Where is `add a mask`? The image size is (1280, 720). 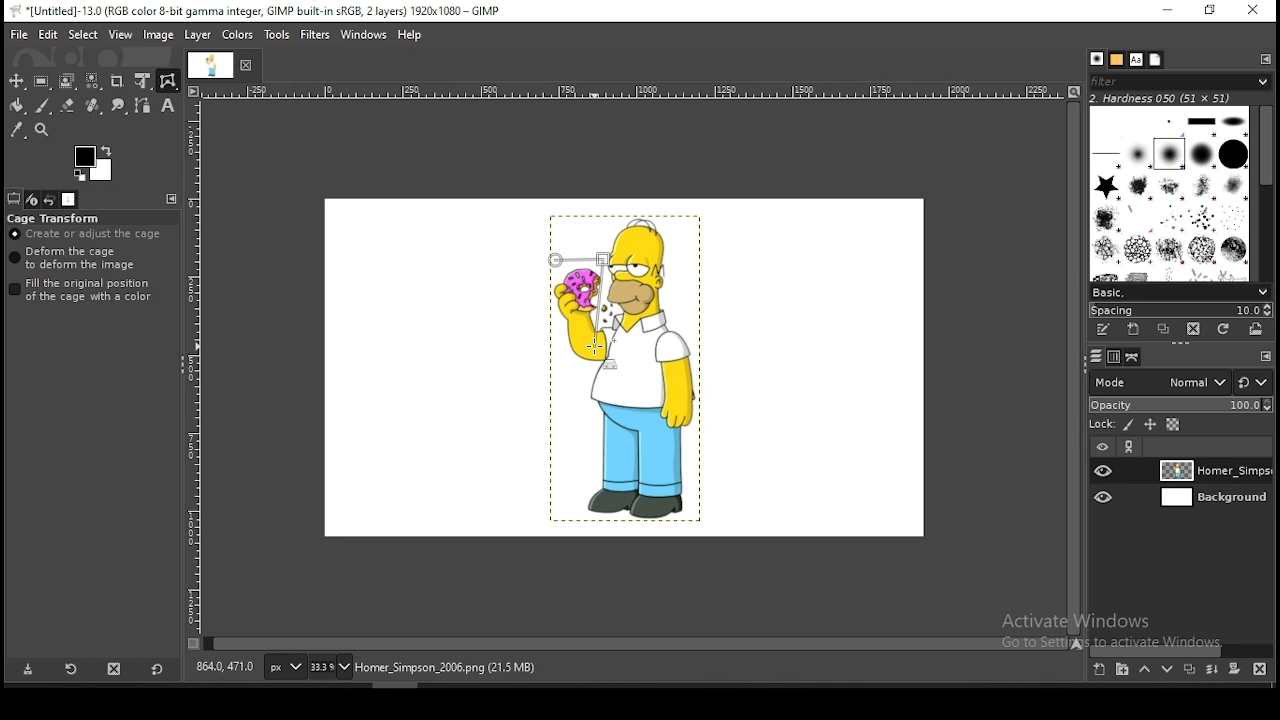 add a mask is located at coordinates (1232, 669).